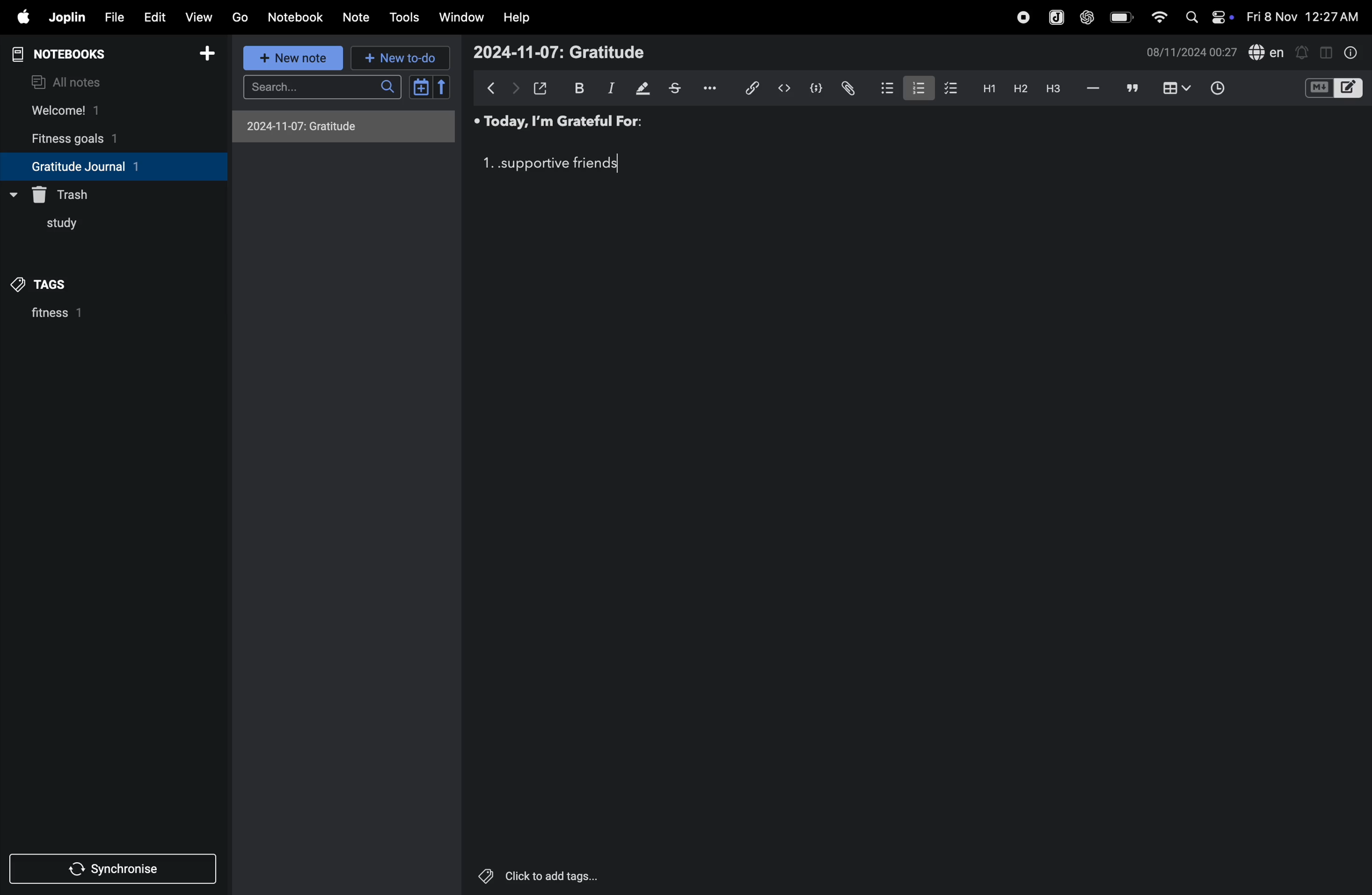 The height and width of the screenshot is (895, 1372). What do you see at coordinates (1268, 51) in the screenshot?
I see `spell check` at bounding box center [1268, 51].